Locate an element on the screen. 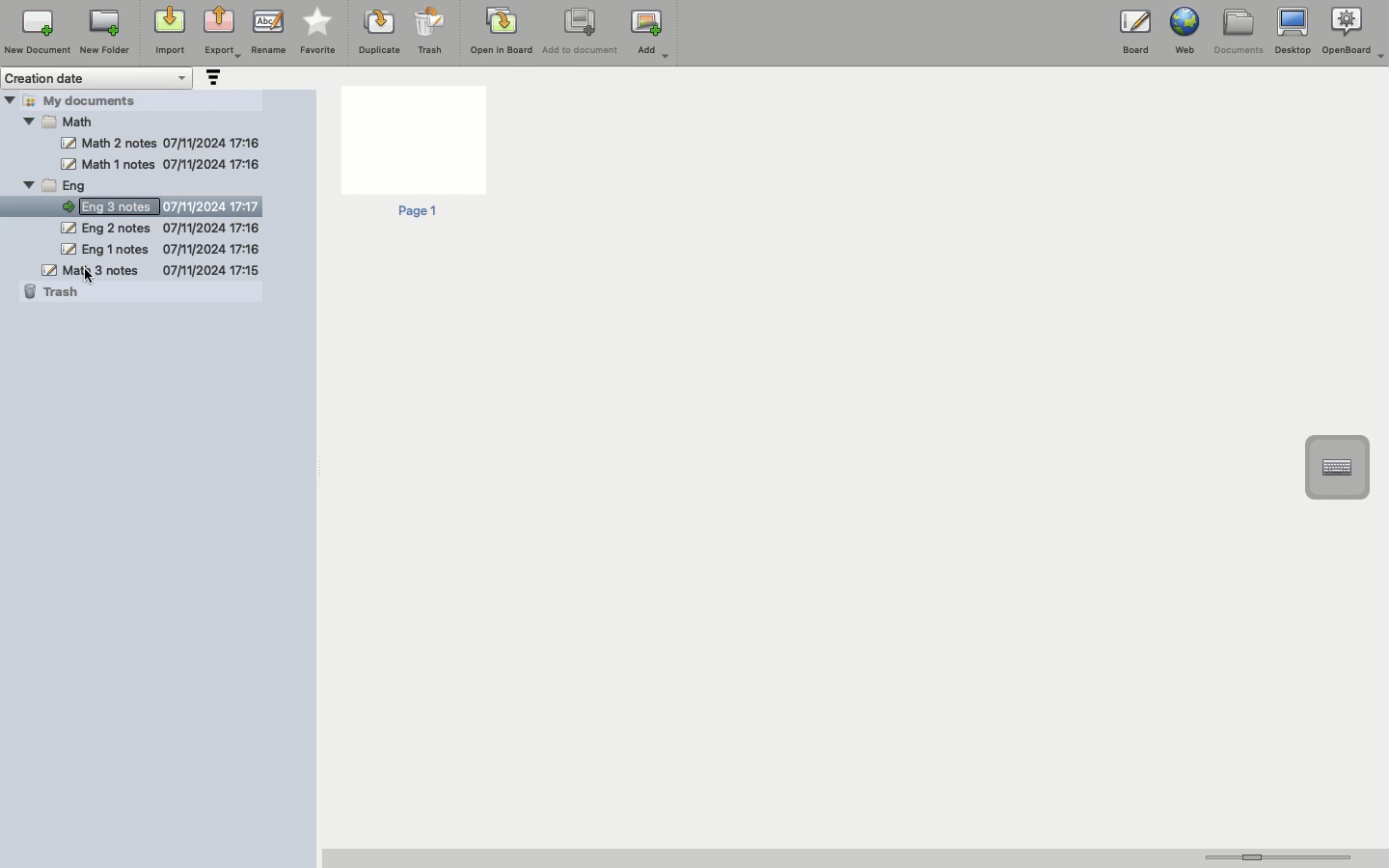 The image size is (1389, 868). Favorite is located at coordinates (318, 32).